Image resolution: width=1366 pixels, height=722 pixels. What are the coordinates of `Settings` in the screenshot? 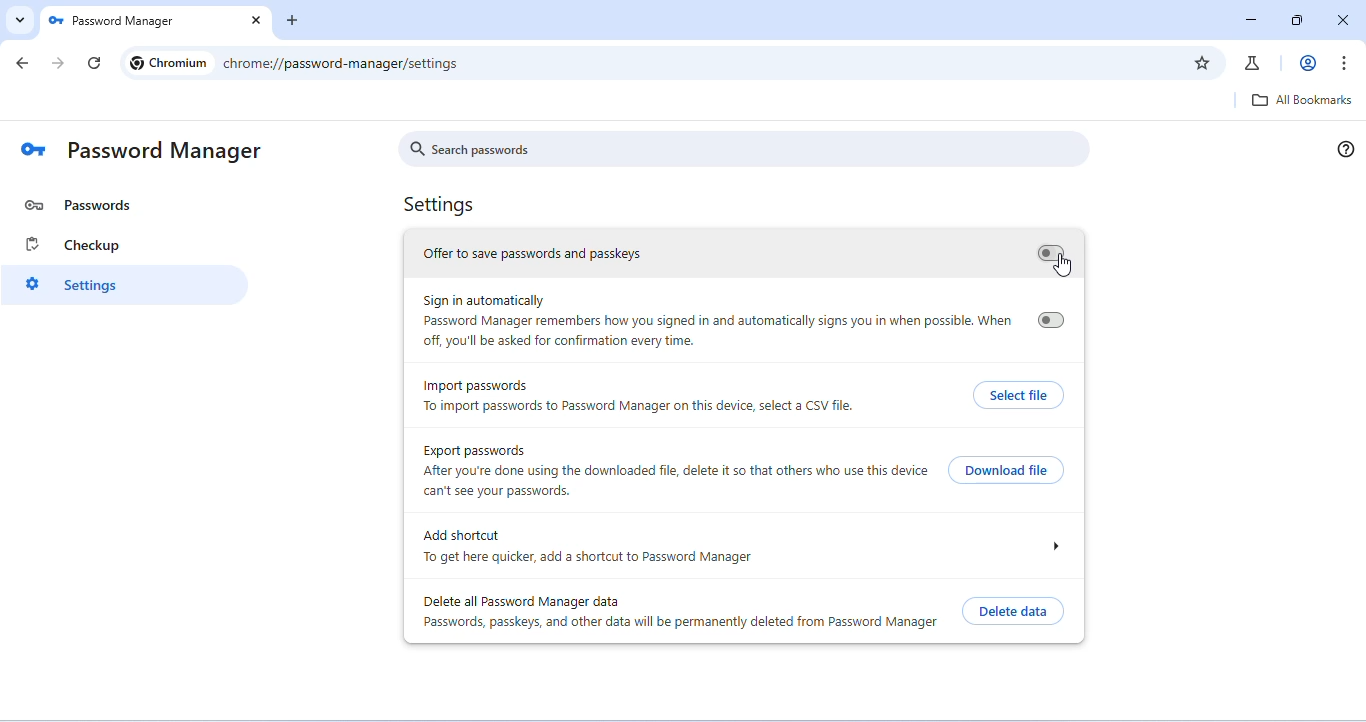 It's located at (438, 205).